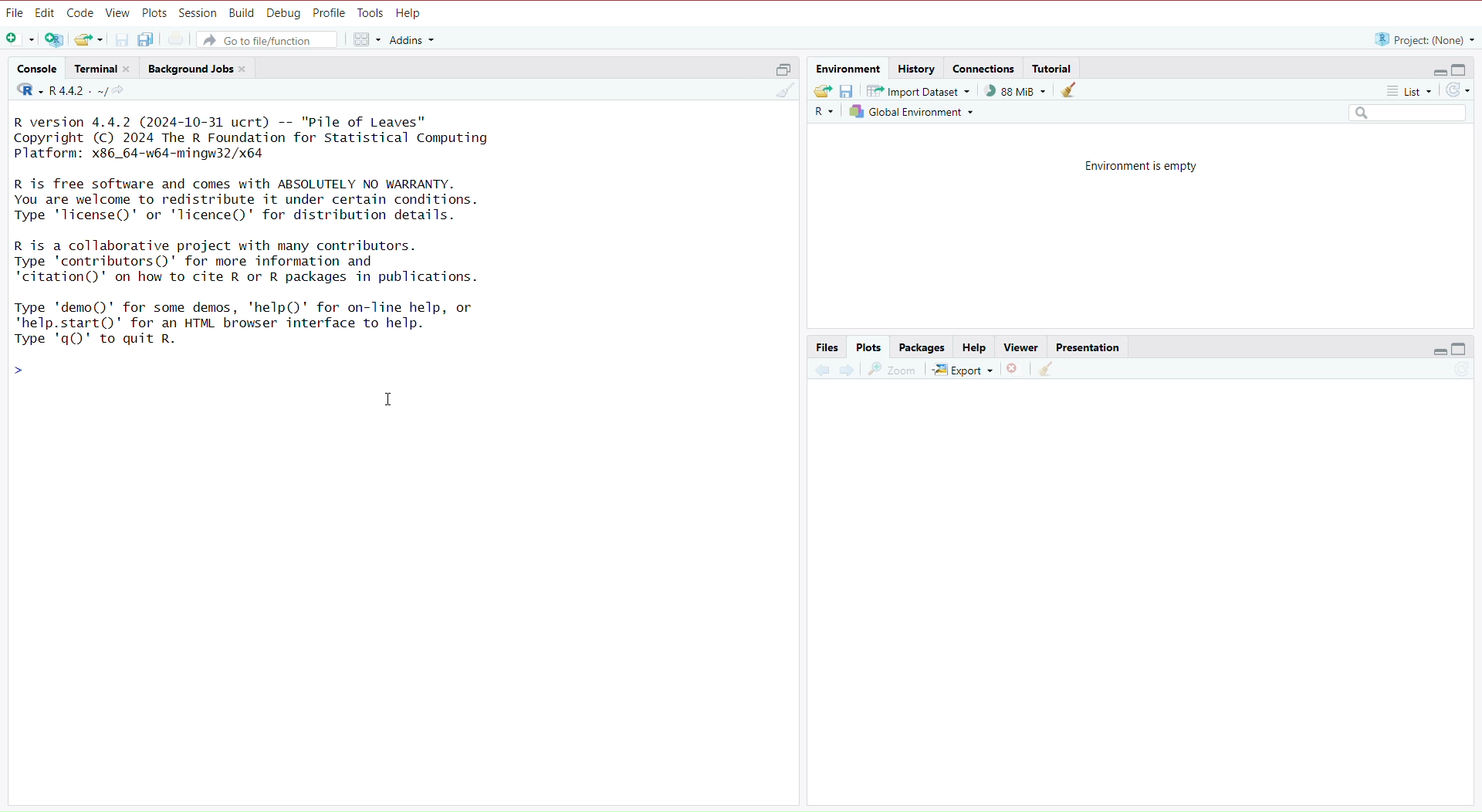 This screenshot has width=1482, height=812. I want to click on edit, so click(45, 13).